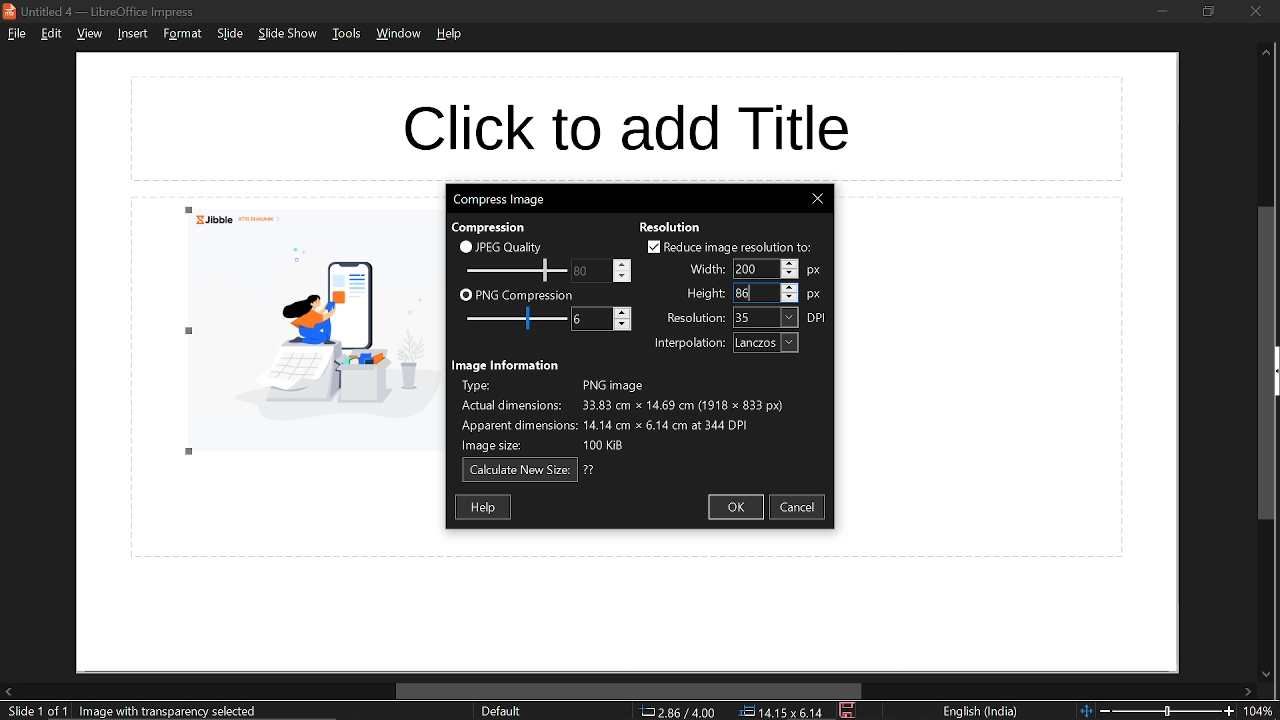 The image size is (1280, 720). What do you see at coordinates (800, 507) in the screenshot?
I see `cancel` at bounding box center [800, 507].